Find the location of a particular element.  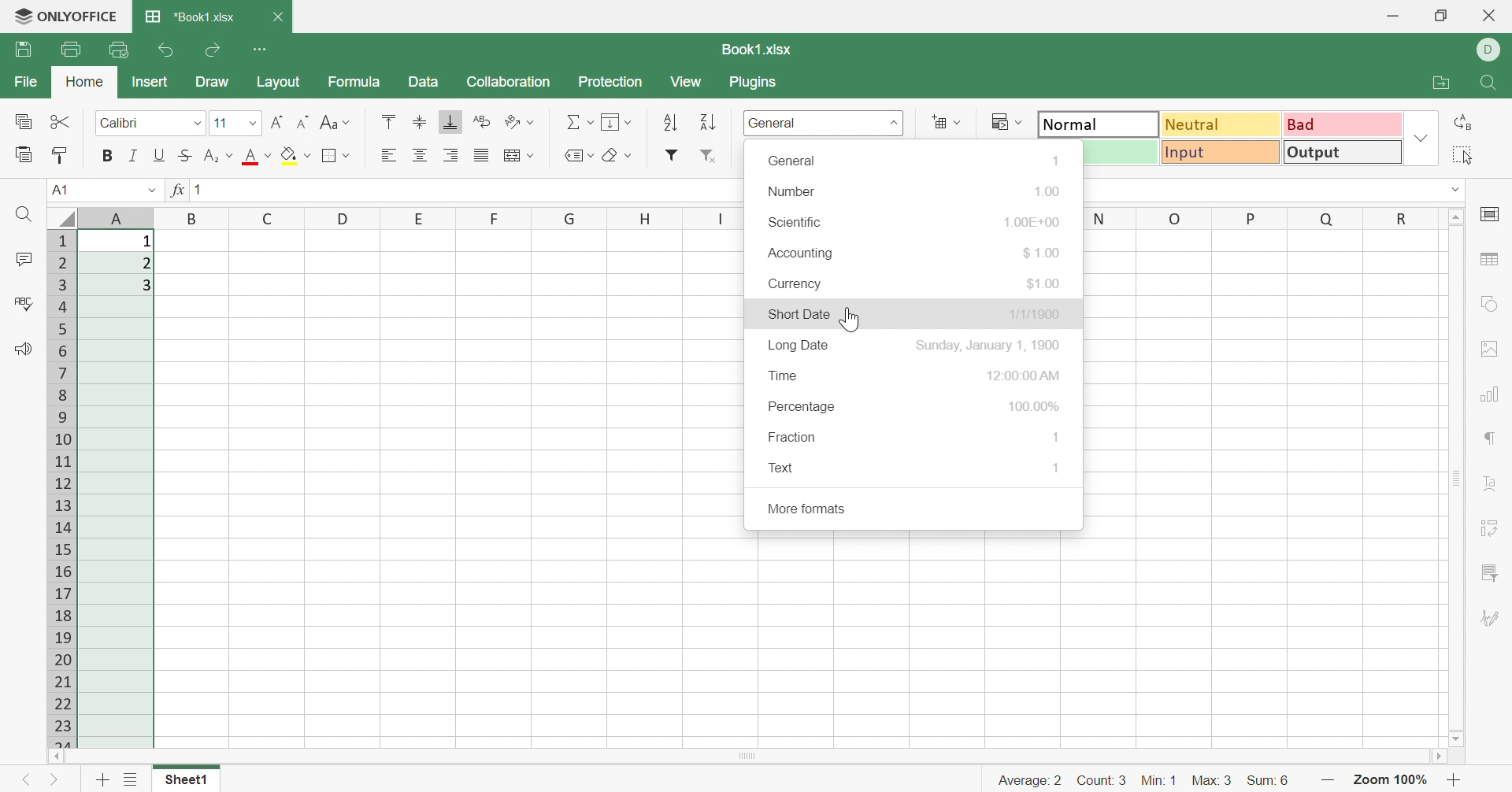

Copy is located at coordinates (24, 121).